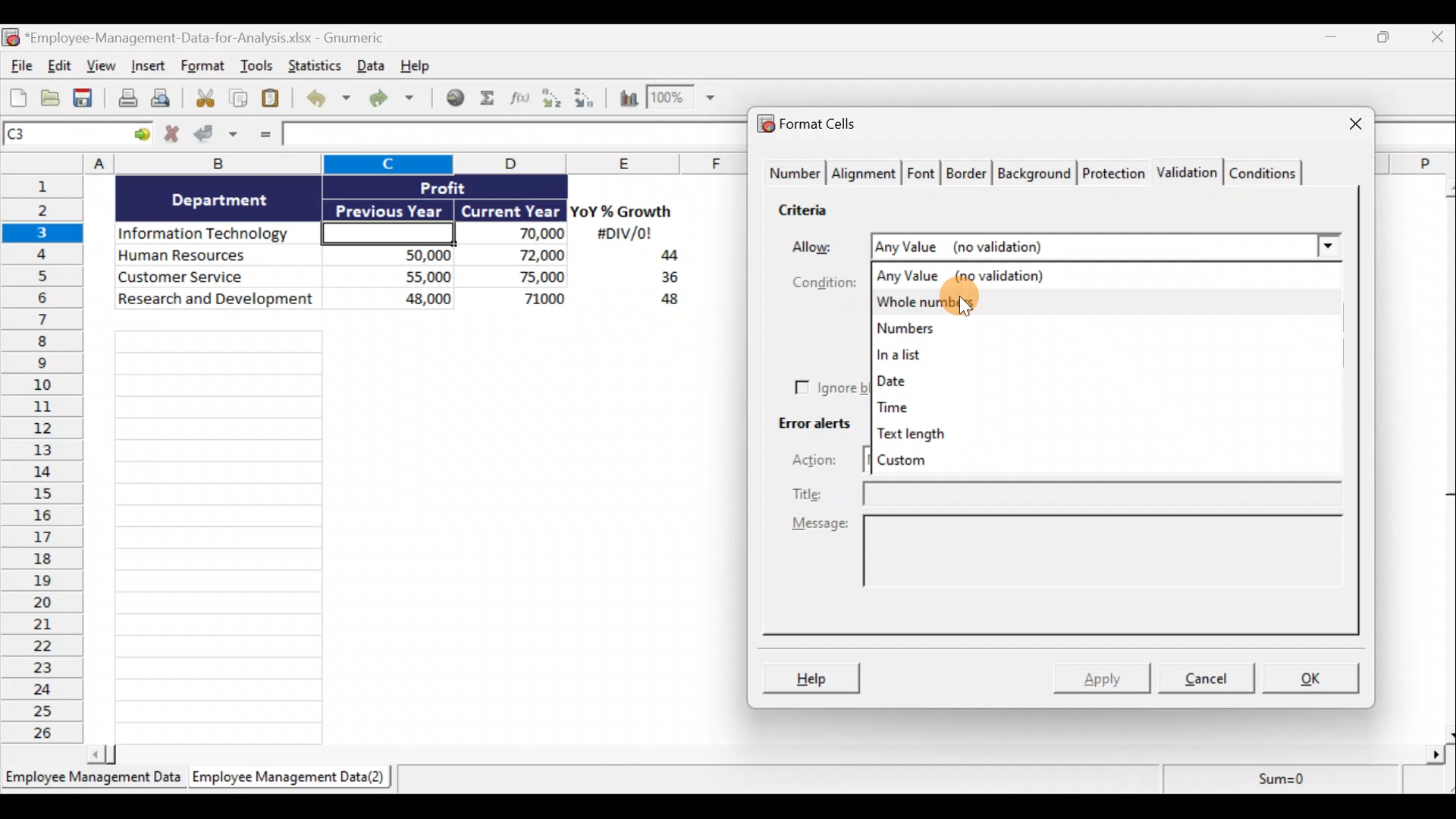  Describe the element at coordinates (92, 777) in the screenshot. I see `Employee Management Data` at that location.